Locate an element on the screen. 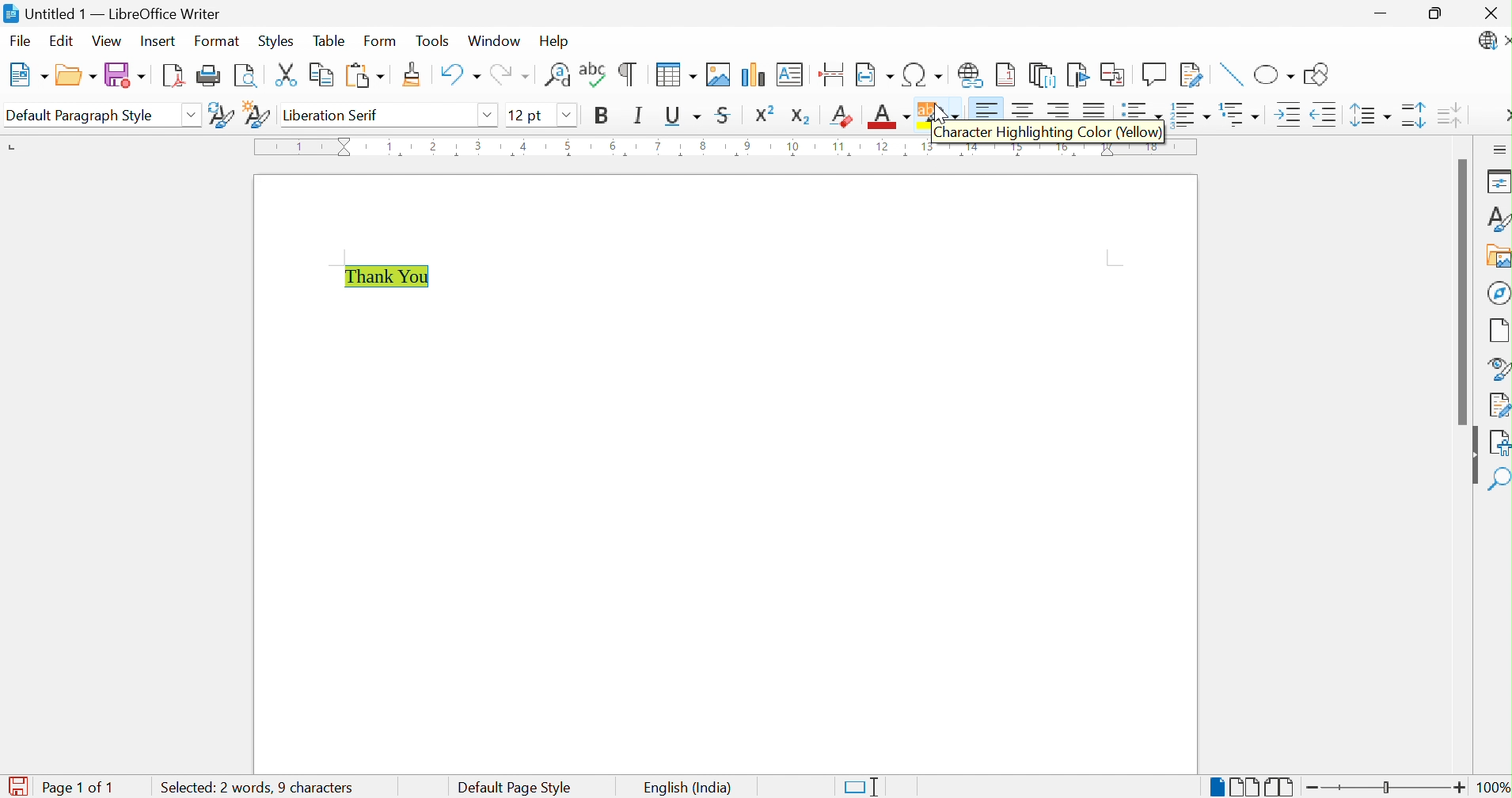 The width and height of the screenshot is (1512, 798). Multiple-page View is located at coordinates (1244, 785).